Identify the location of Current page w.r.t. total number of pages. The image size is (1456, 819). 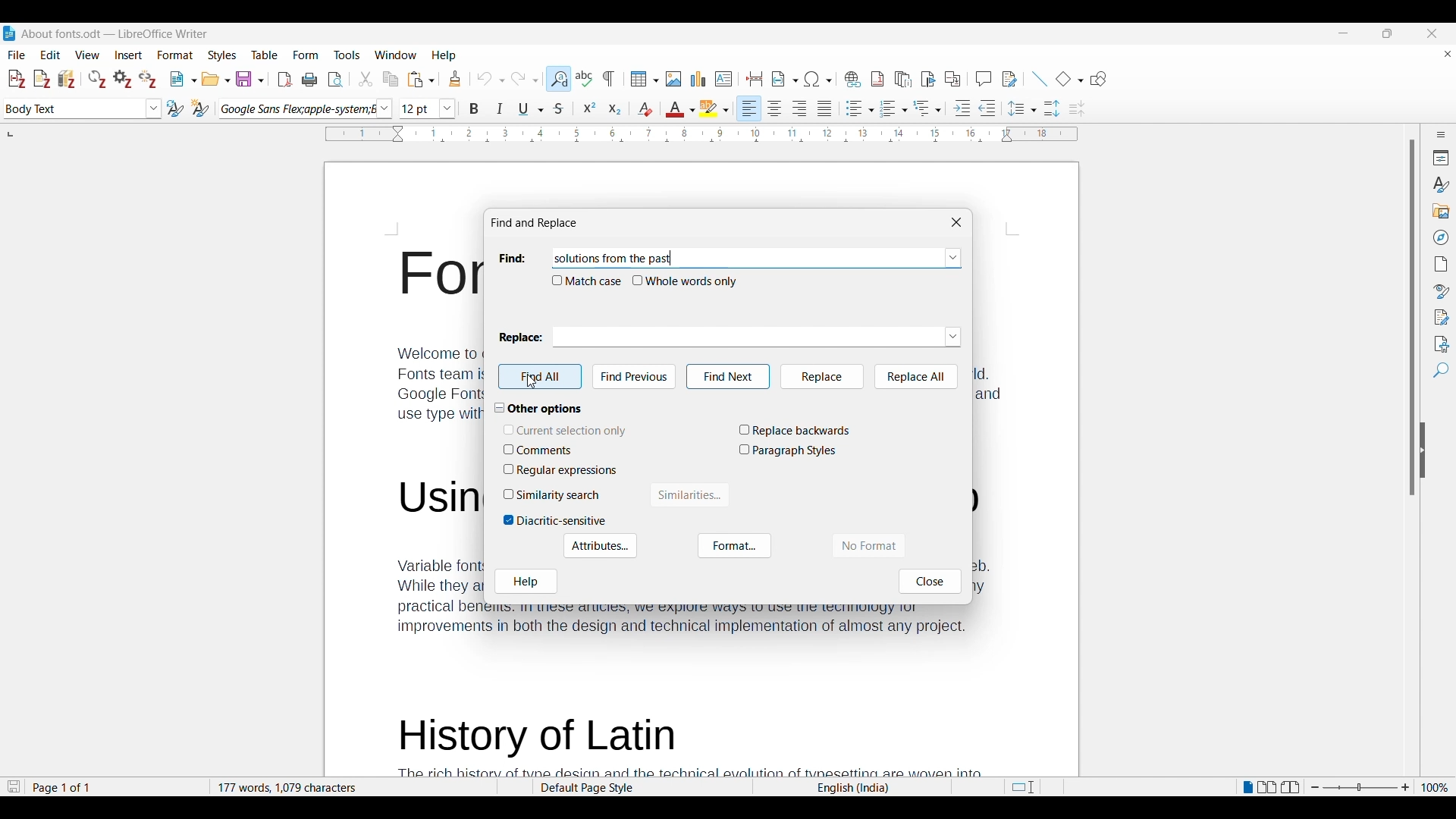
(115, 788).